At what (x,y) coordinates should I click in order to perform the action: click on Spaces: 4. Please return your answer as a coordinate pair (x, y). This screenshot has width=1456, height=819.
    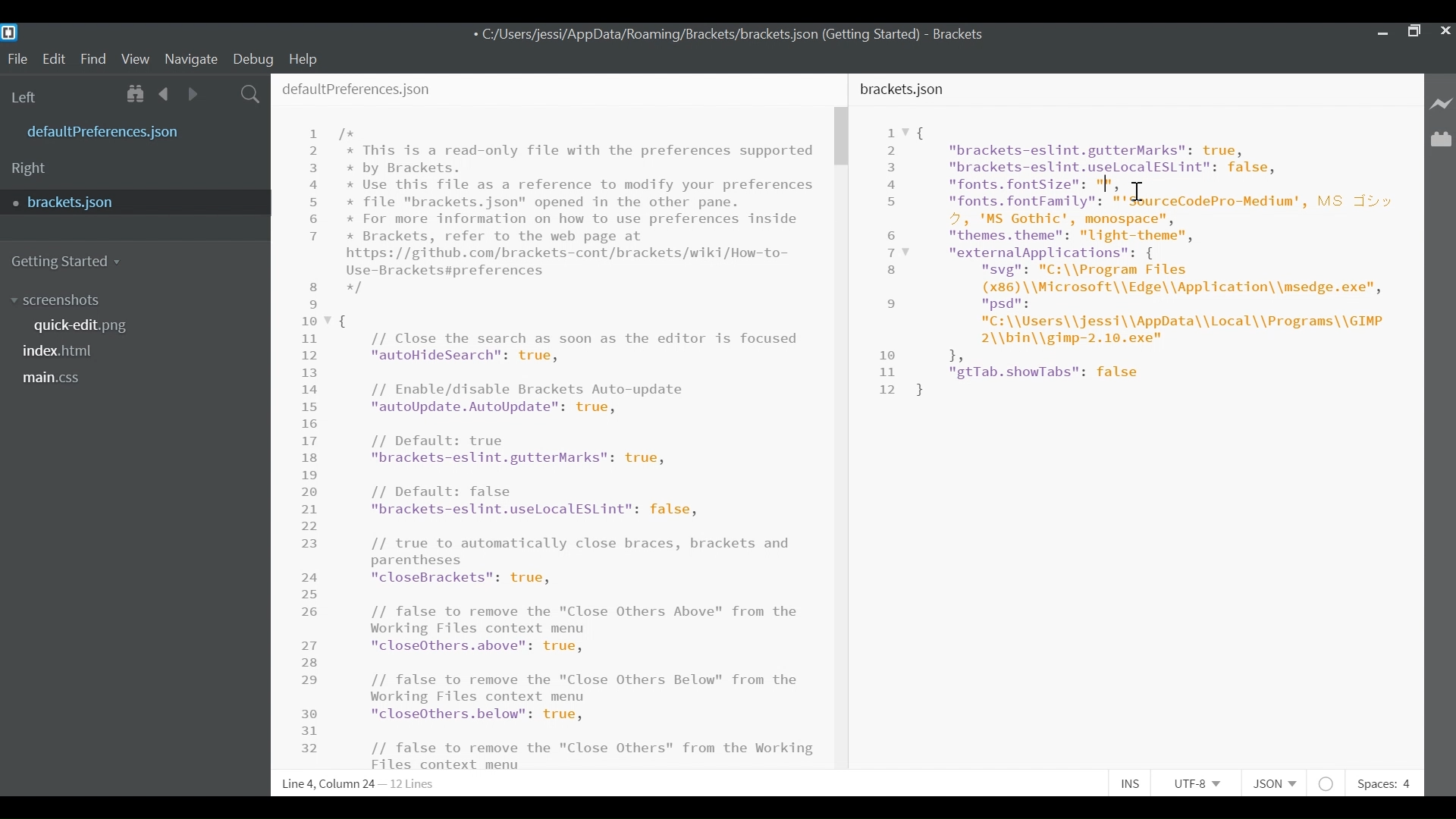
    Looking at the image, I should click on (1389, 780).